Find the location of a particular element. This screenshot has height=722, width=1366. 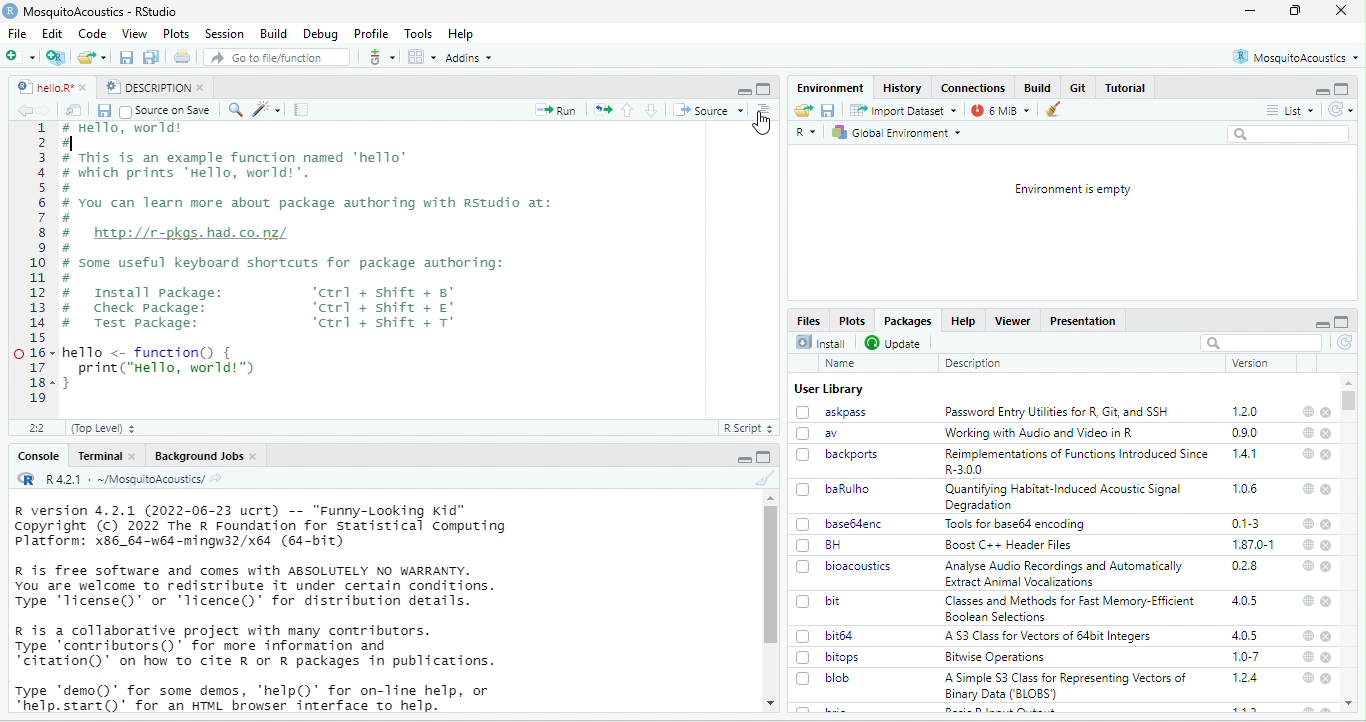

Tools is located at coordinates (419, 34).